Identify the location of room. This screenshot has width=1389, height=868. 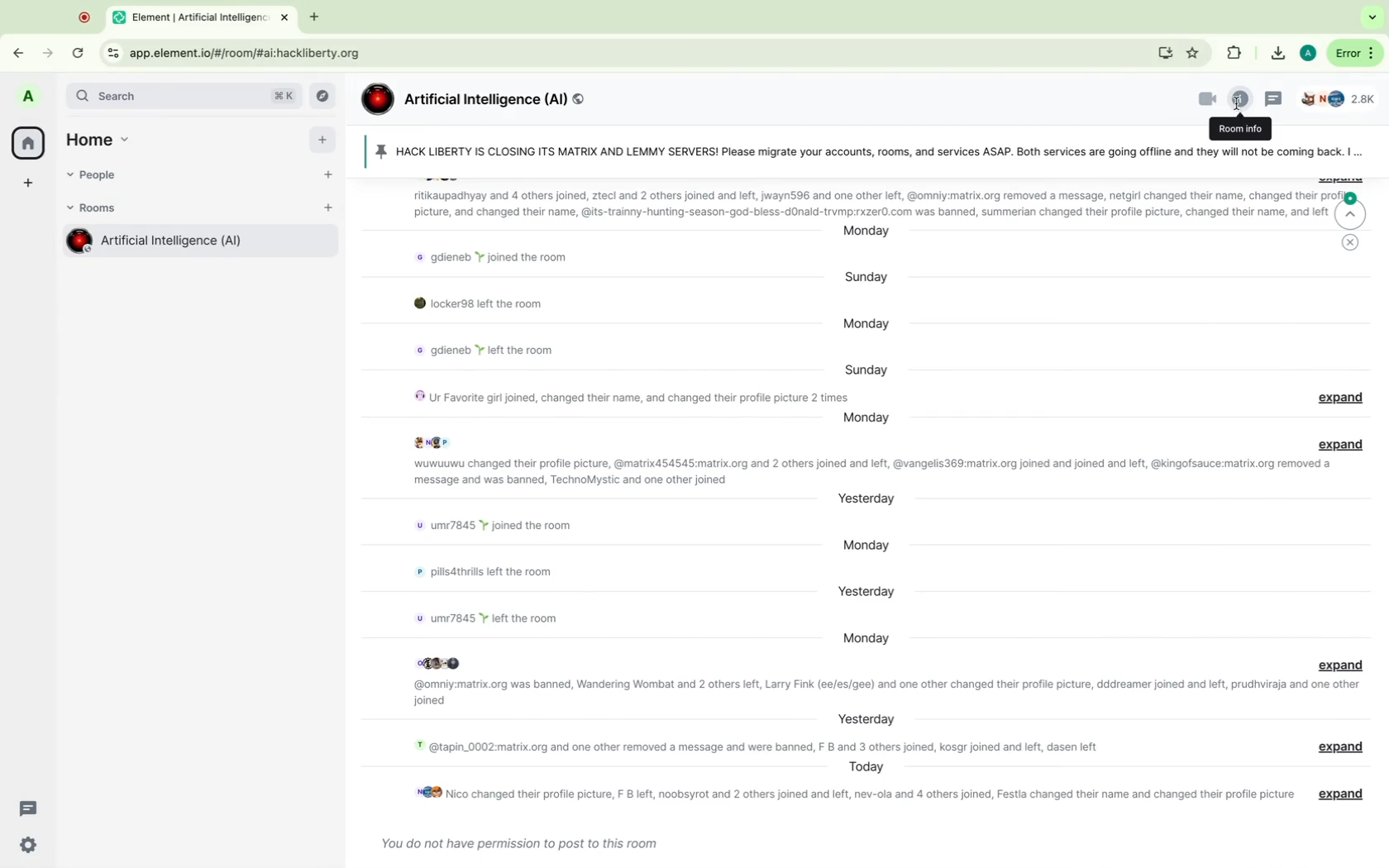
(197, 244).